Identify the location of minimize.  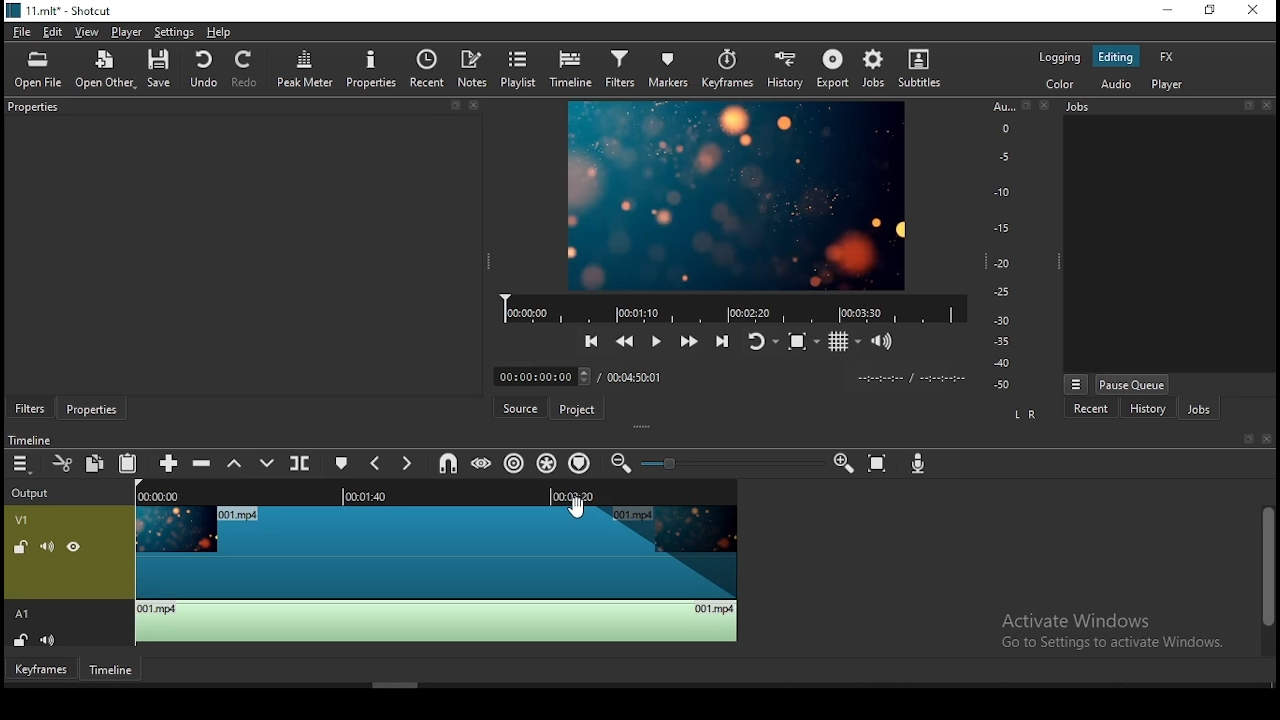
(1171, 11).